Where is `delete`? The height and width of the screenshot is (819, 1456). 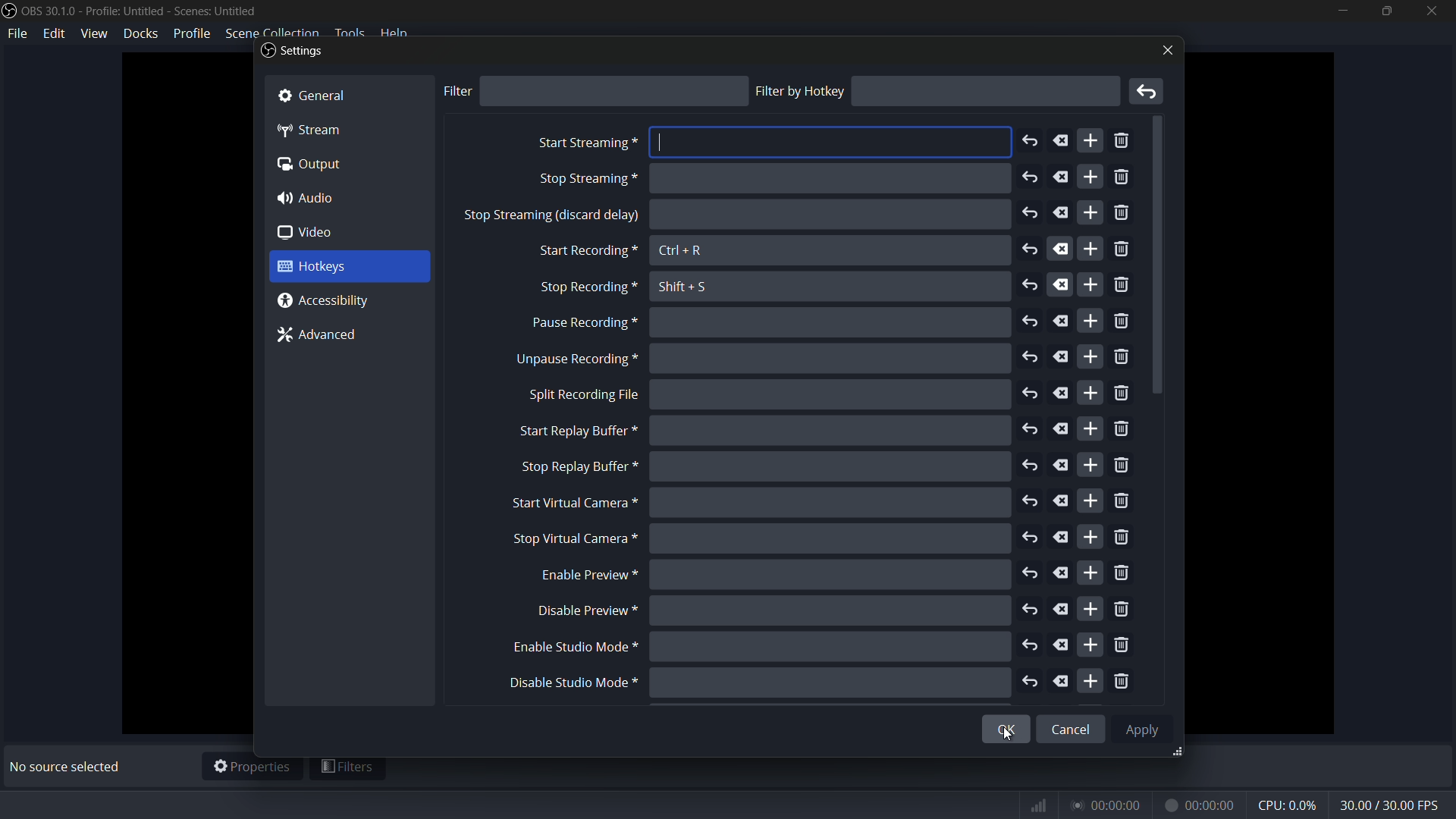 delete is located at coordinates (1063, 249).